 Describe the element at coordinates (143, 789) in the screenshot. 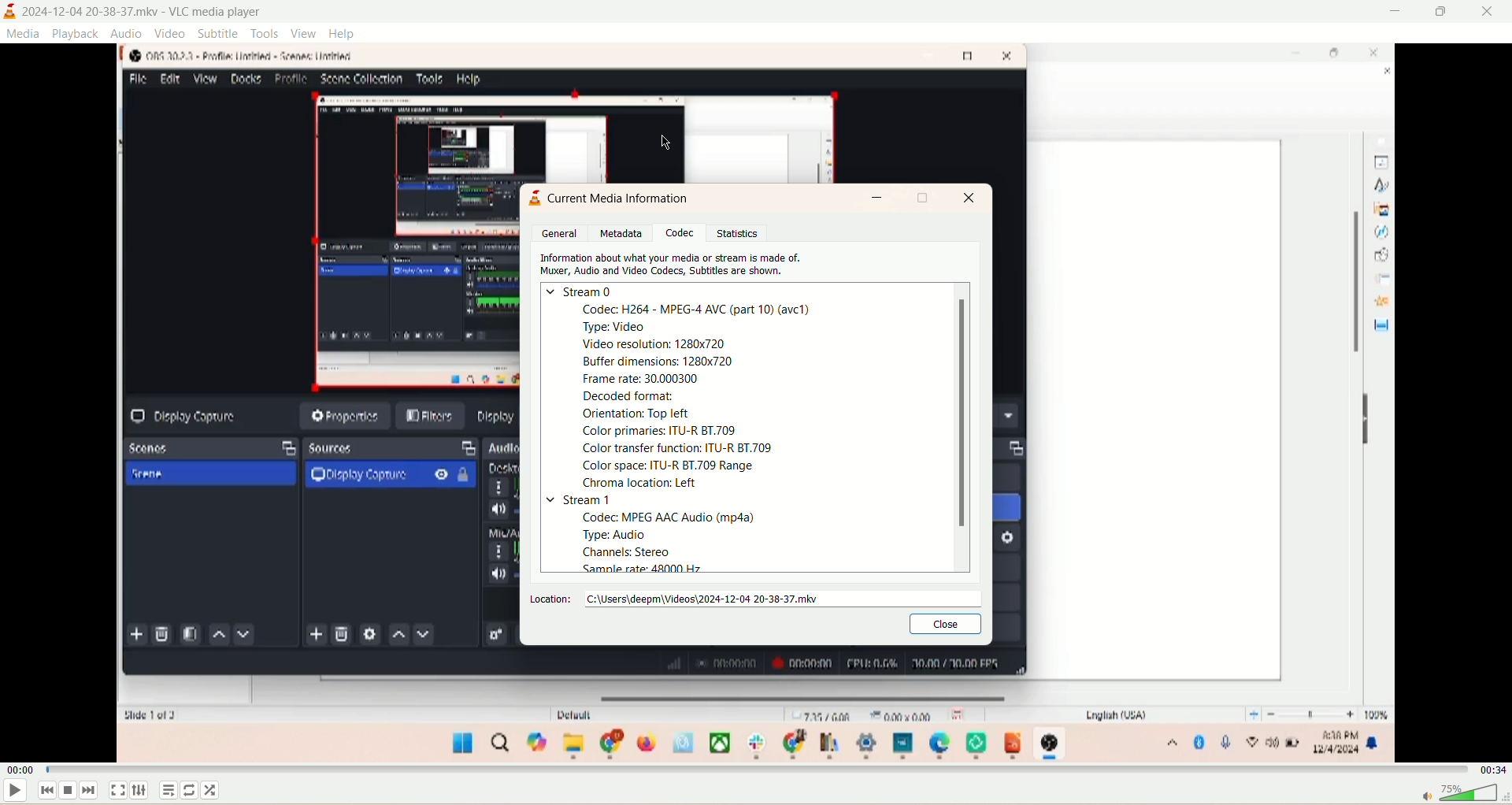

I see `extended settings` at that location.